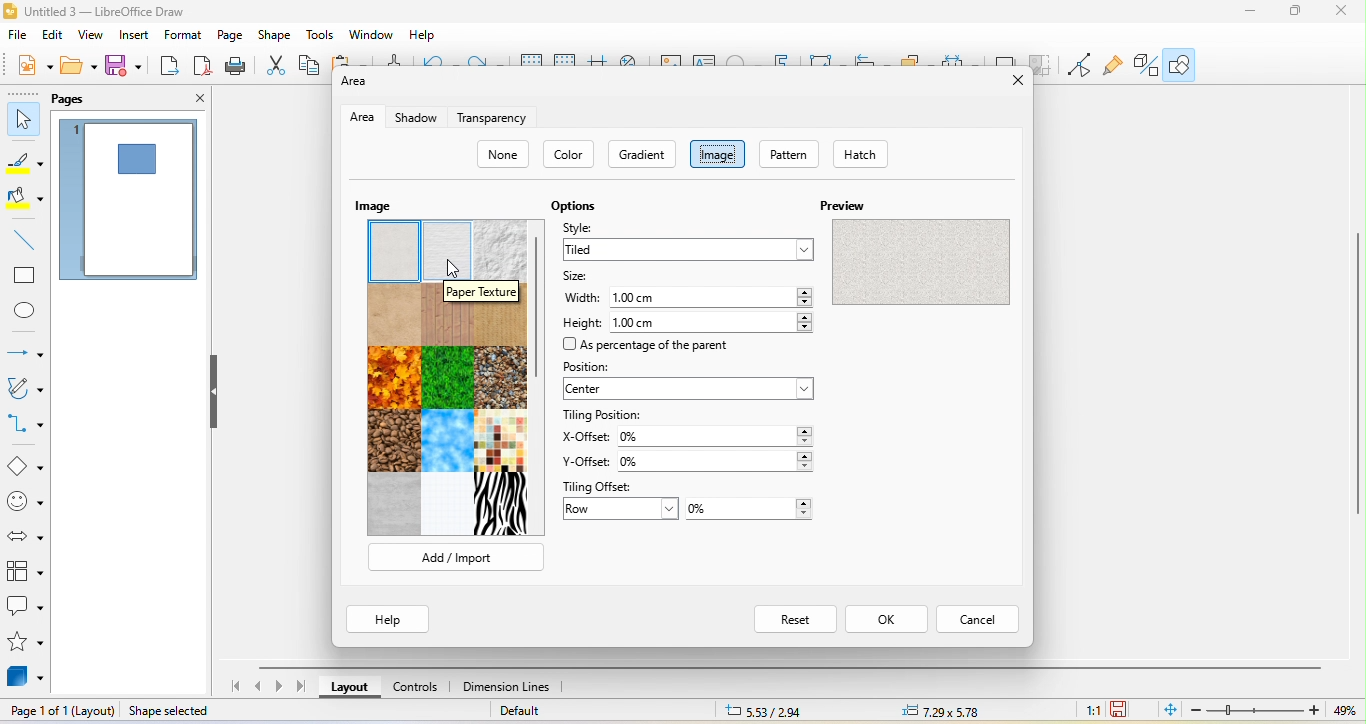  Describe the element at coordinates (646, 156) in the screenshot. I see `gradient` at that location.